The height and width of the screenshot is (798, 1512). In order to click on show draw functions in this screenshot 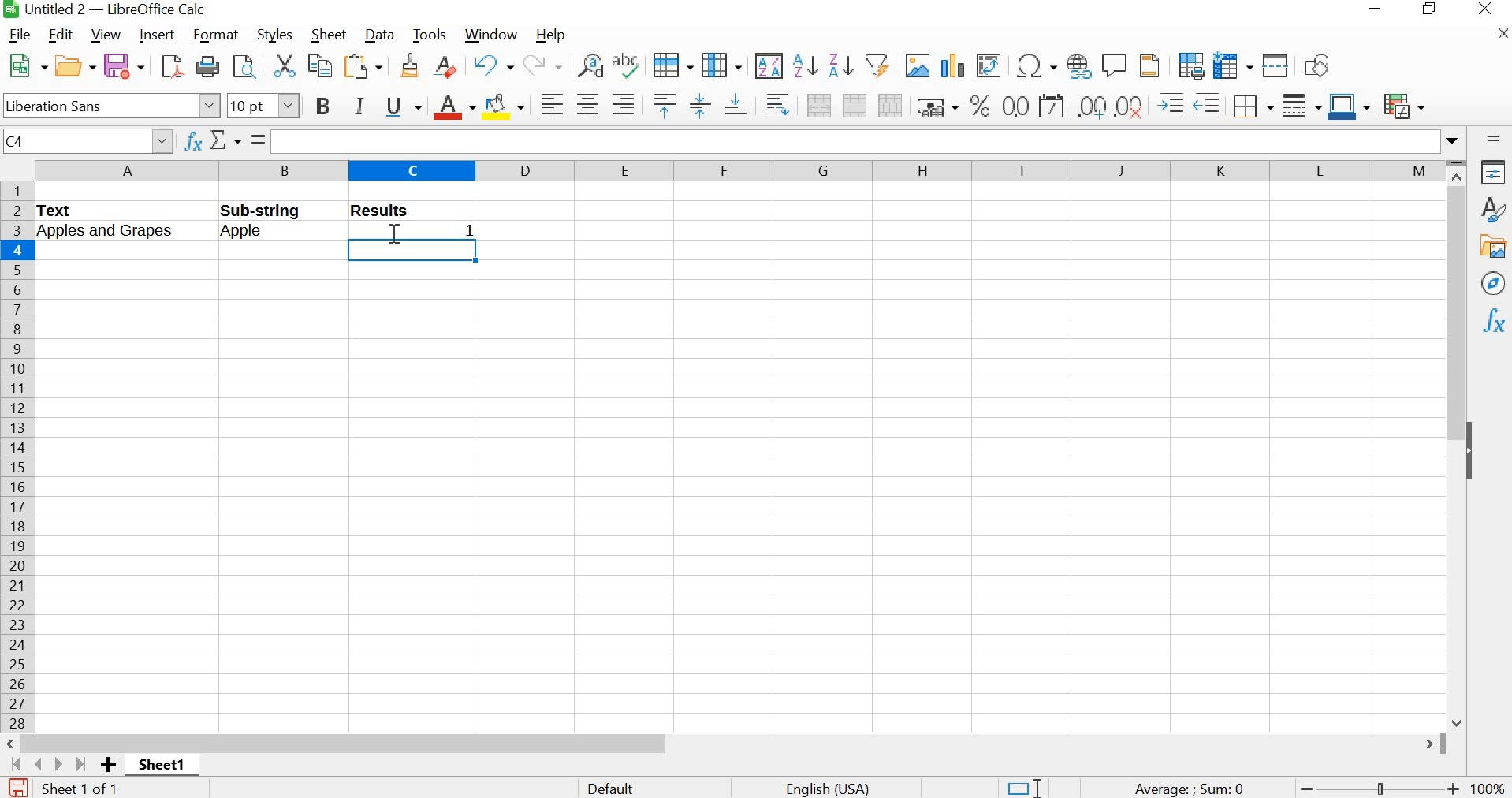, I will do `click(1319, 65)`.